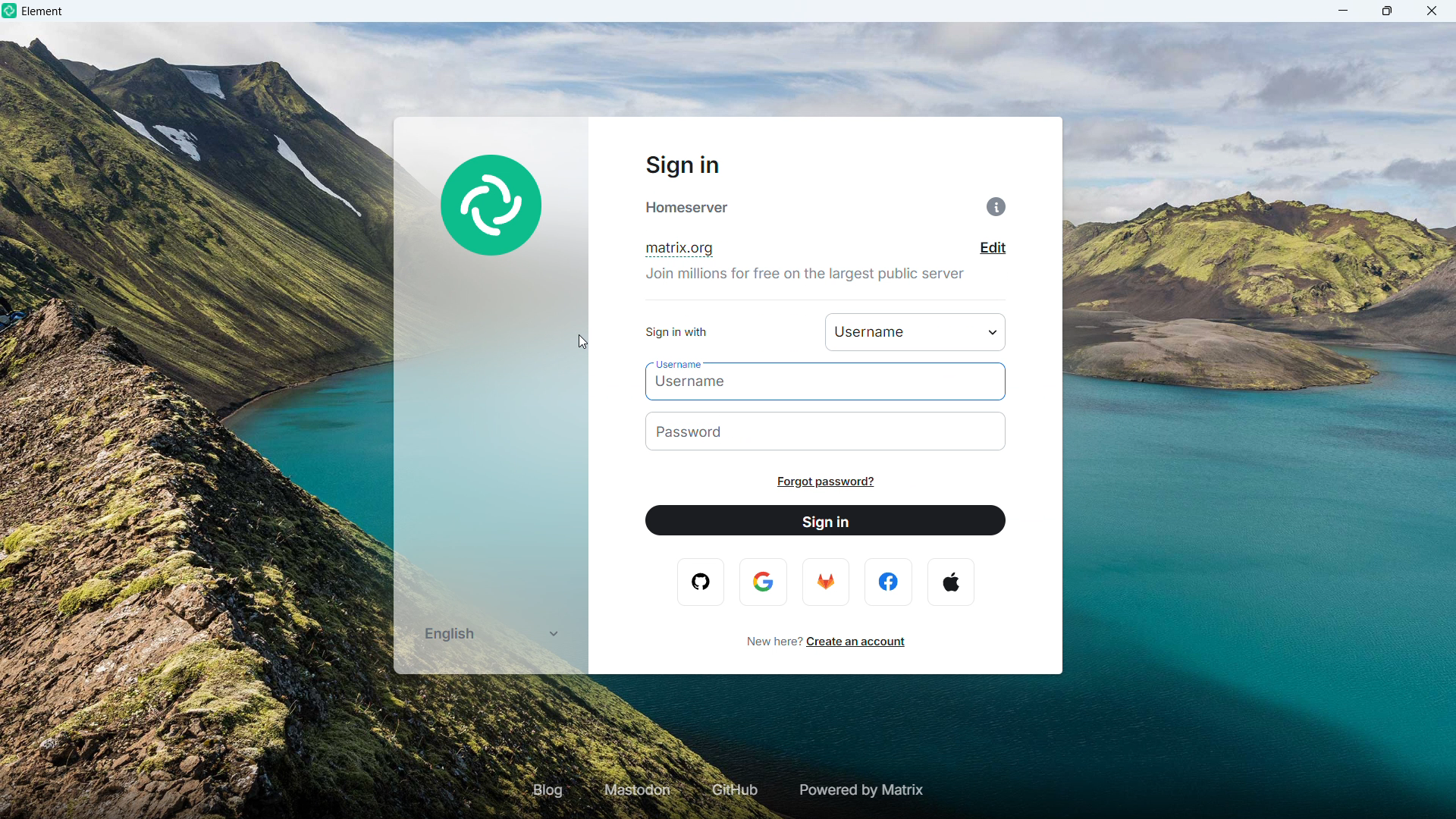 The width and height of the screenshot is (1456, 819). I want to click on Create an account , so click(858, 642).